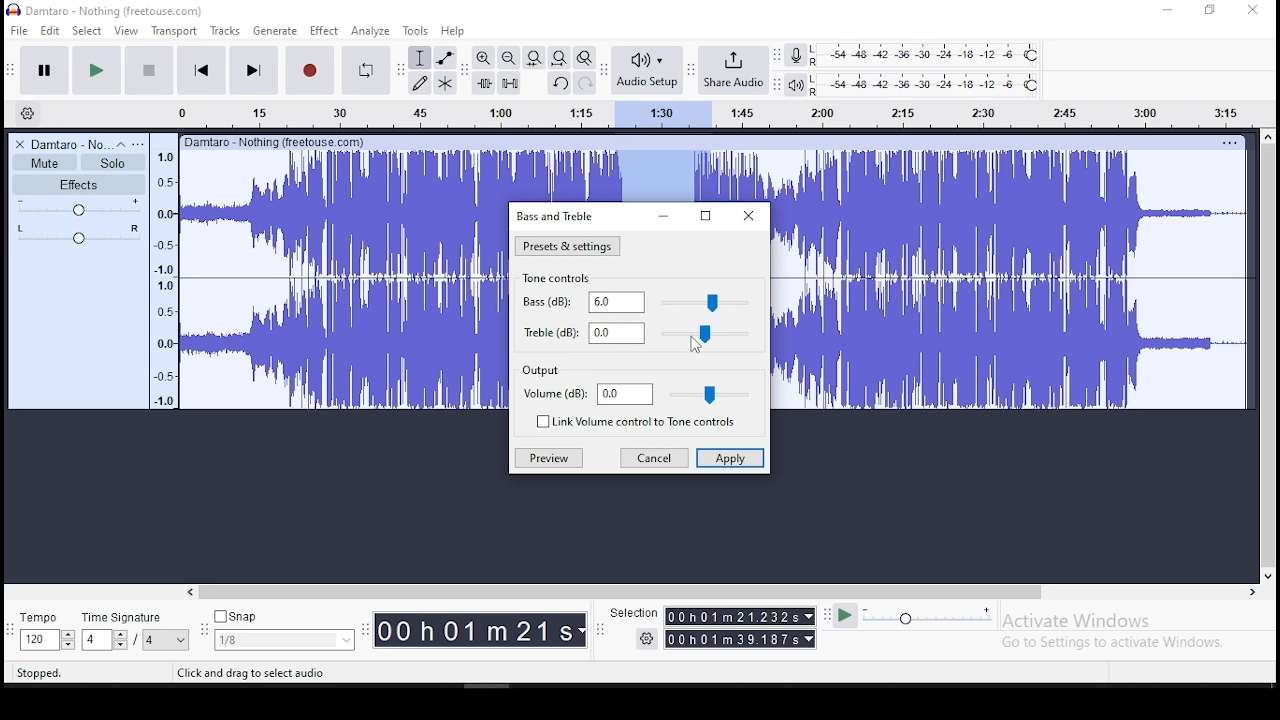 This screenshot has width=1280, height=720. Describe the element at coordinates (420, 83) in the screenshot. I see `draw tool` at that location.